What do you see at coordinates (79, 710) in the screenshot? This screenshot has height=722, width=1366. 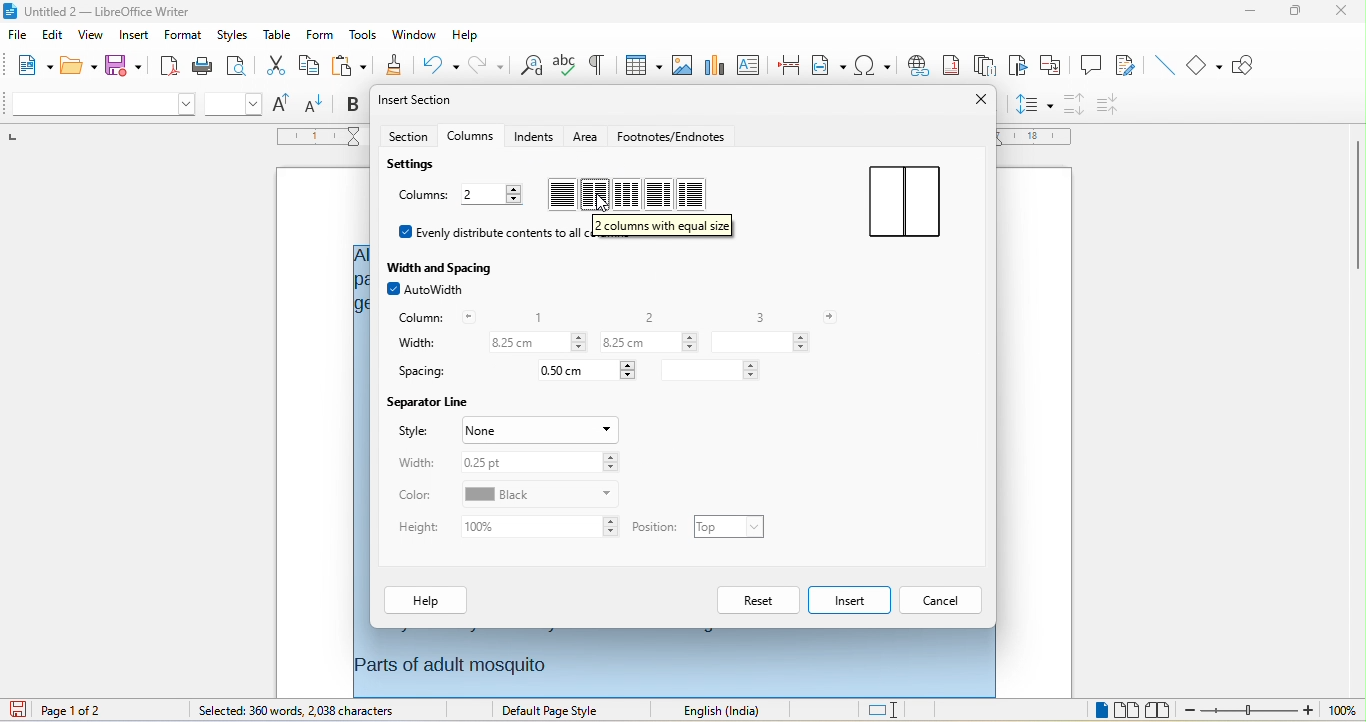 I see `page 1 of 2` at bounding box center [79, 710].